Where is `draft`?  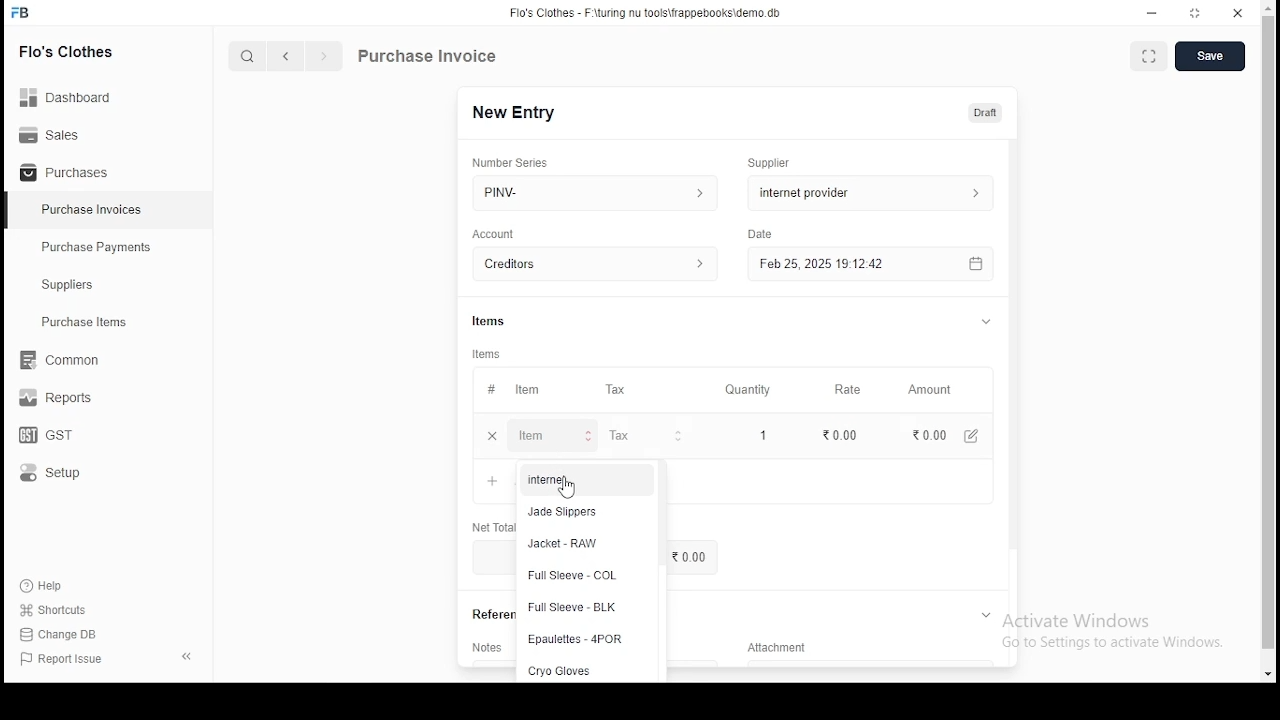
draft is located at coordinates (986, 112).